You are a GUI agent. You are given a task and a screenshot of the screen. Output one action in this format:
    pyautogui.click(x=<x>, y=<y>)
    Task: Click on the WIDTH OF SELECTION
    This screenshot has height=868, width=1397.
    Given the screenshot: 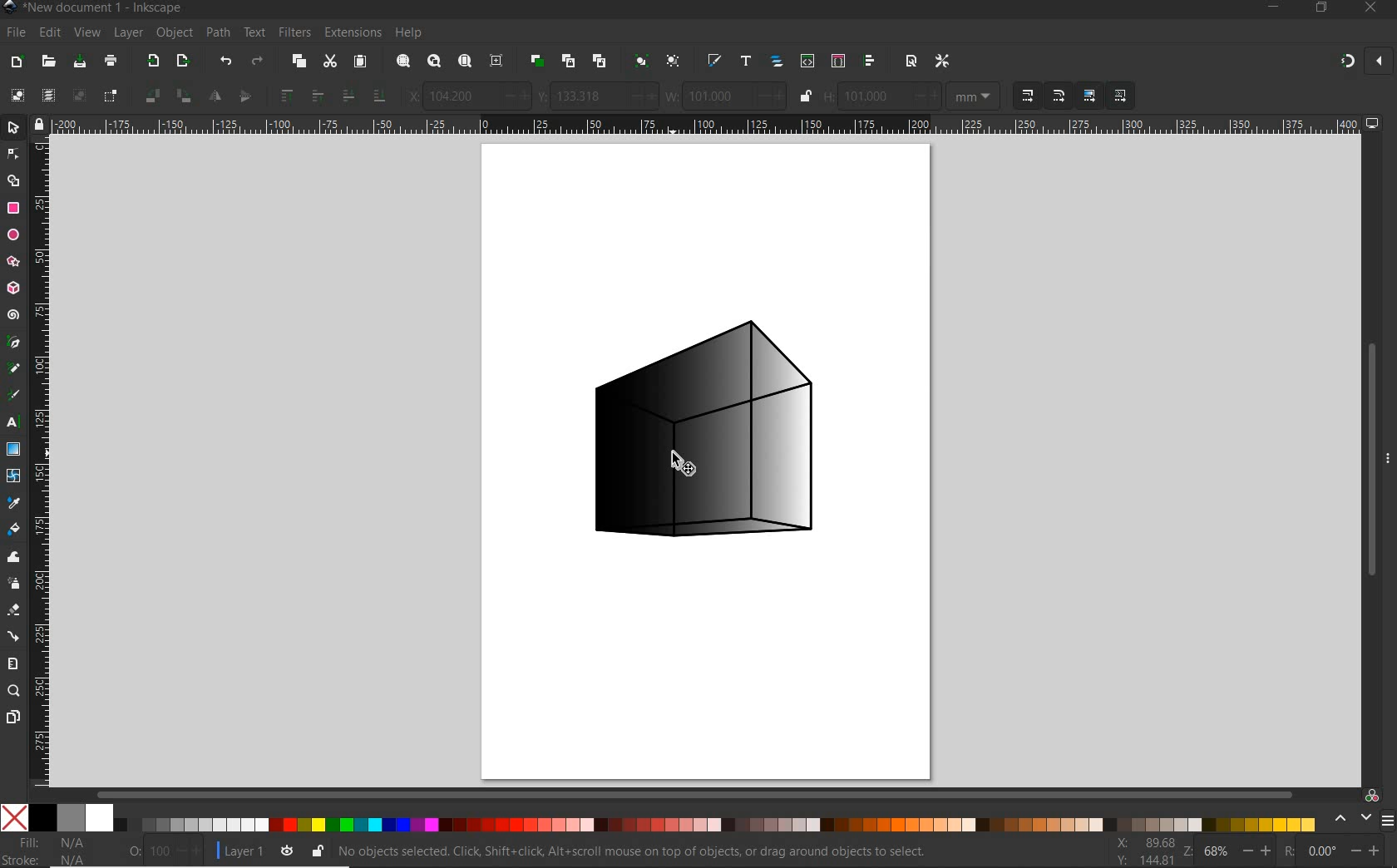 What is the action you would take?
    pyautogui.click(x=673, y=94)
    